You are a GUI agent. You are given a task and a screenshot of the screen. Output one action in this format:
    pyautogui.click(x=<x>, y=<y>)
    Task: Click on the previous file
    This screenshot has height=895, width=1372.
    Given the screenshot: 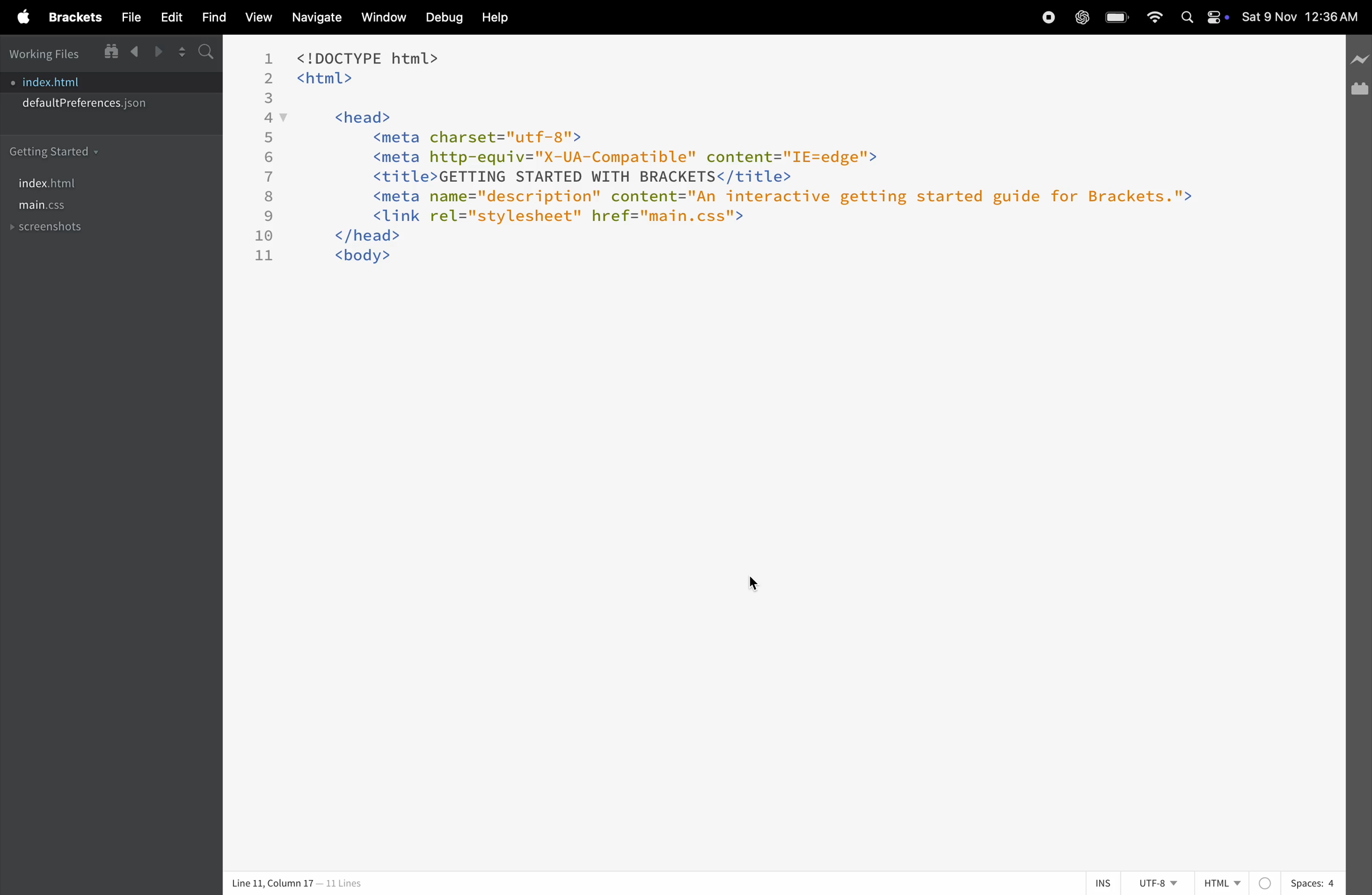 What is the action you would take?
    pyautogui.click(x=137, y=55)
    